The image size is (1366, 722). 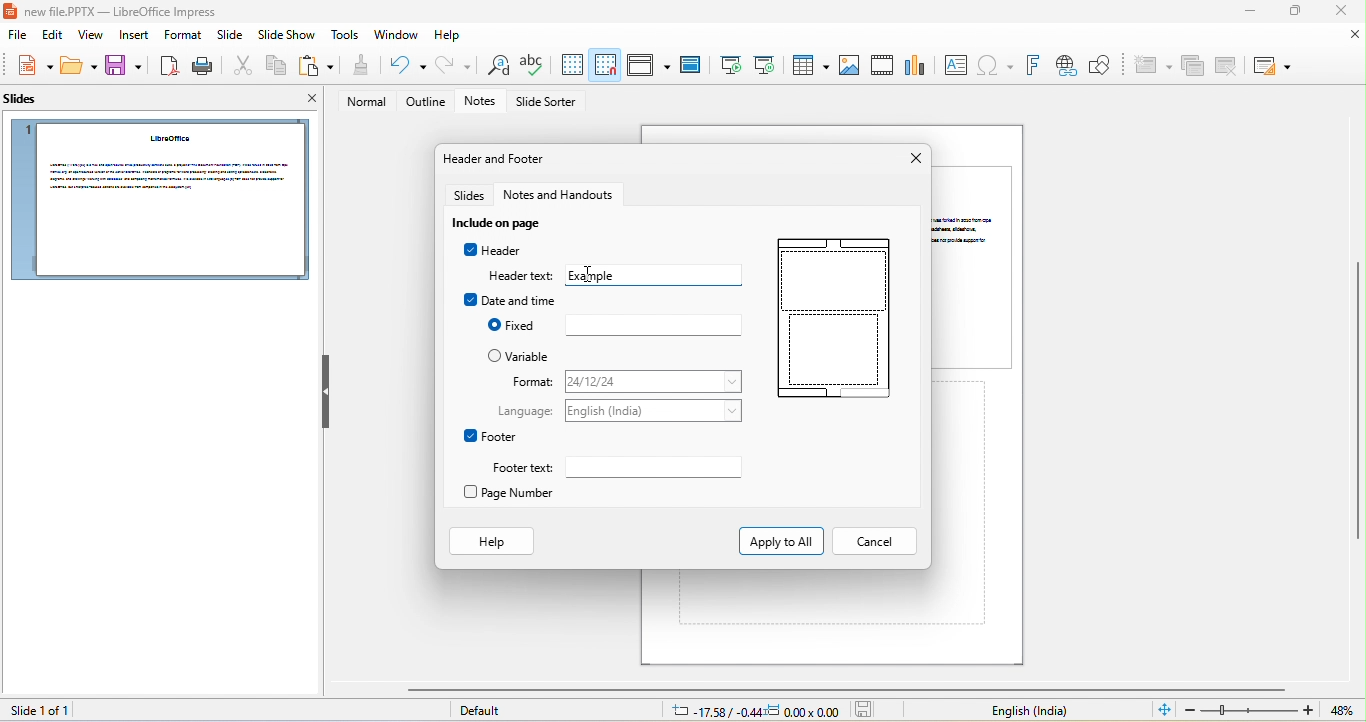 I want to click on fixed, so click(x=652, y=325).